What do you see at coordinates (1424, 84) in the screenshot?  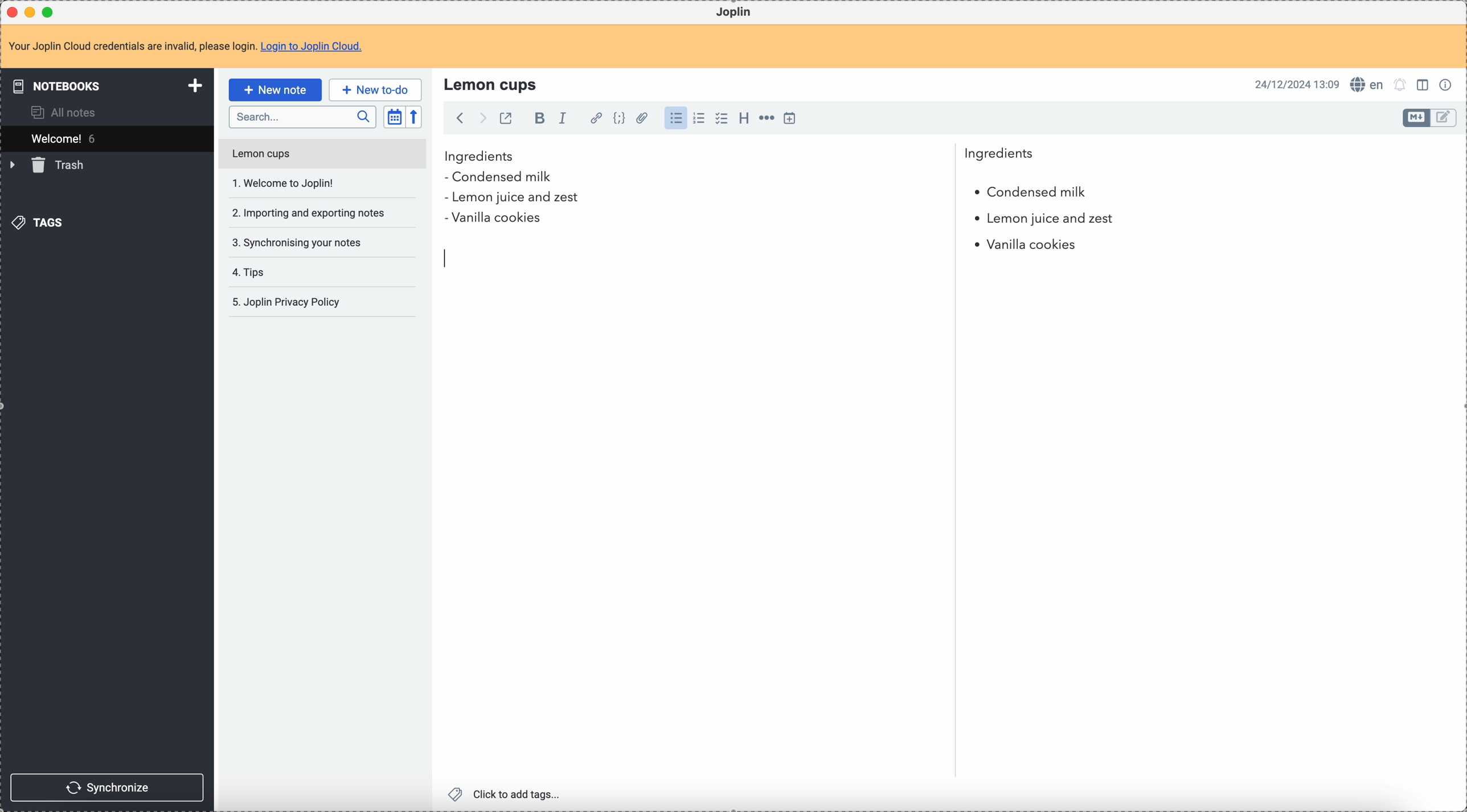 I see `toggle edit layout` at bounding box center [1424, 84].